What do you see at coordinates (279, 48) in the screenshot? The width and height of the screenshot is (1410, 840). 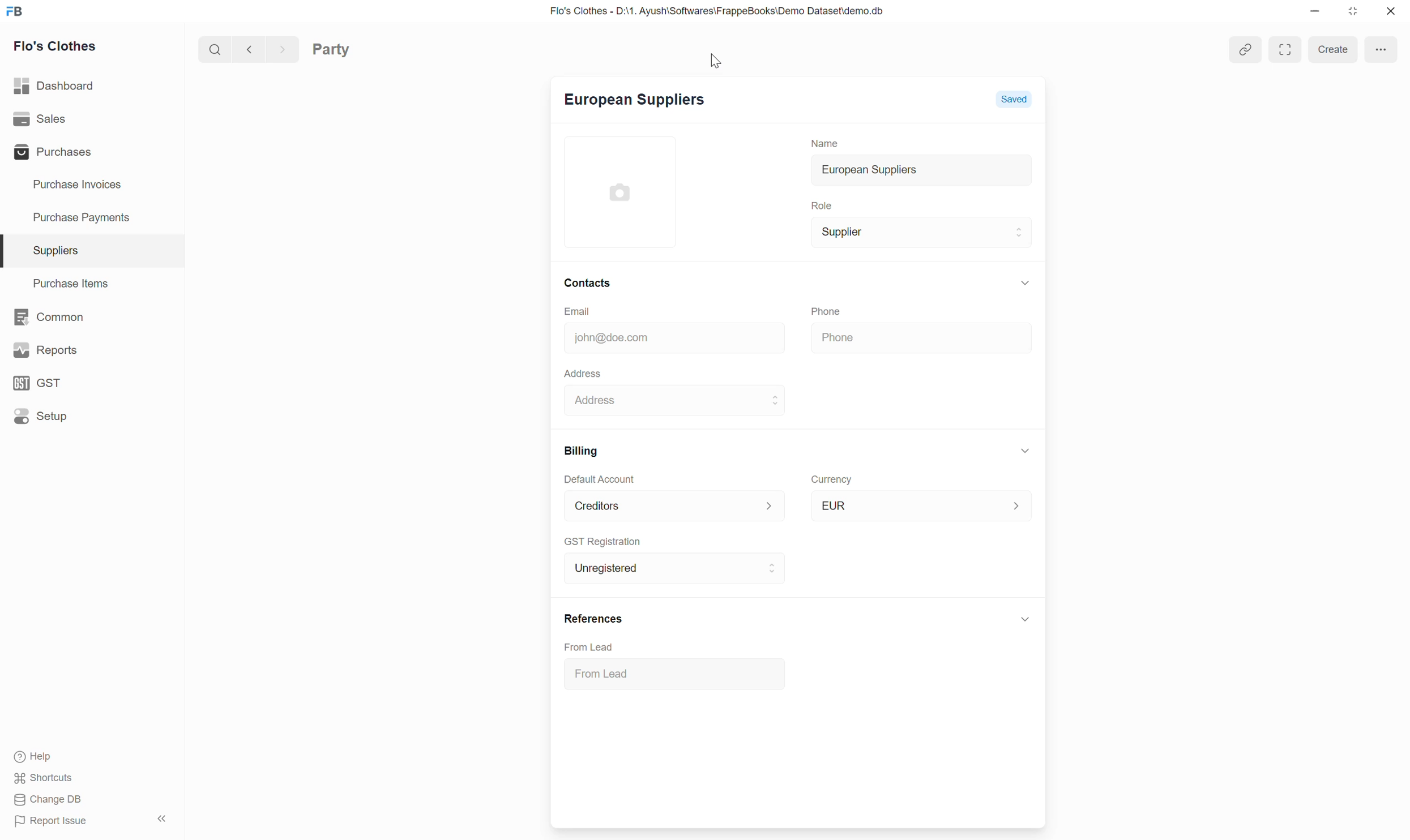 I see `forward` at bounding box center [279, 48].